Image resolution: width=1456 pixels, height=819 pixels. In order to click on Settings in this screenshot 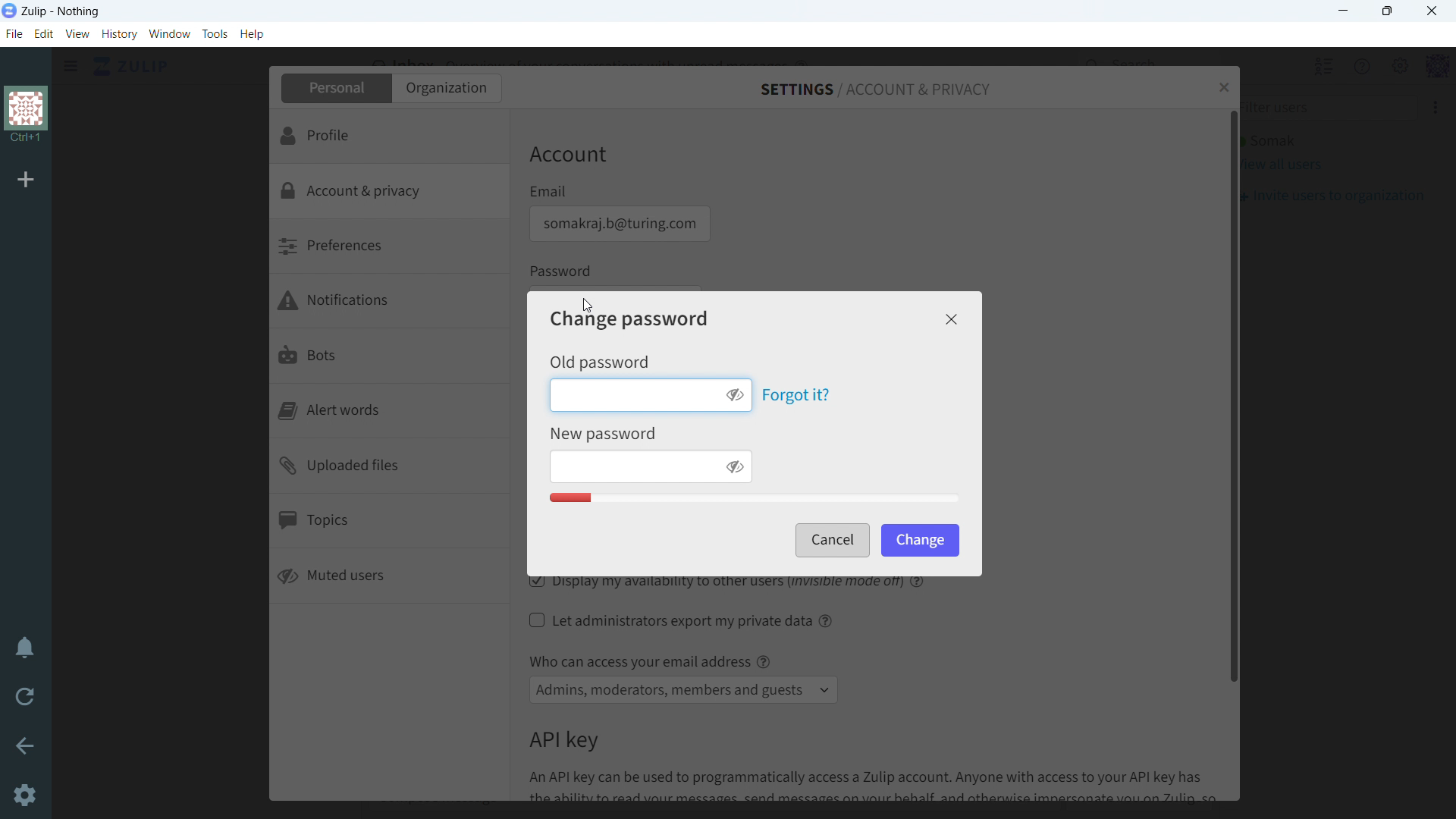, I will do `click(26, 795)`.